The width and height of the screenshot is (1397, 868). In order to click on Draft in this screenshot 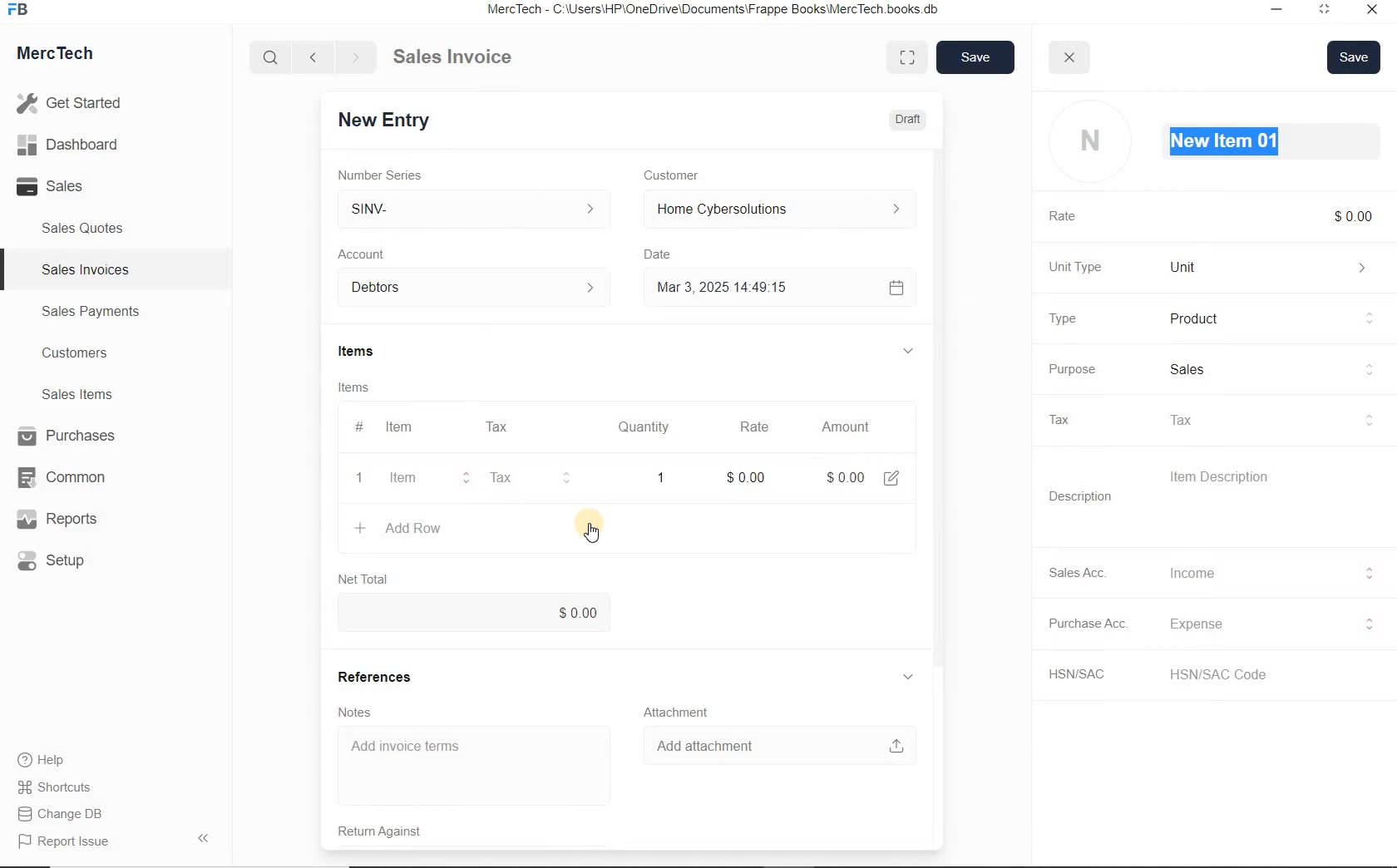, I will do `click(909, 118)`.